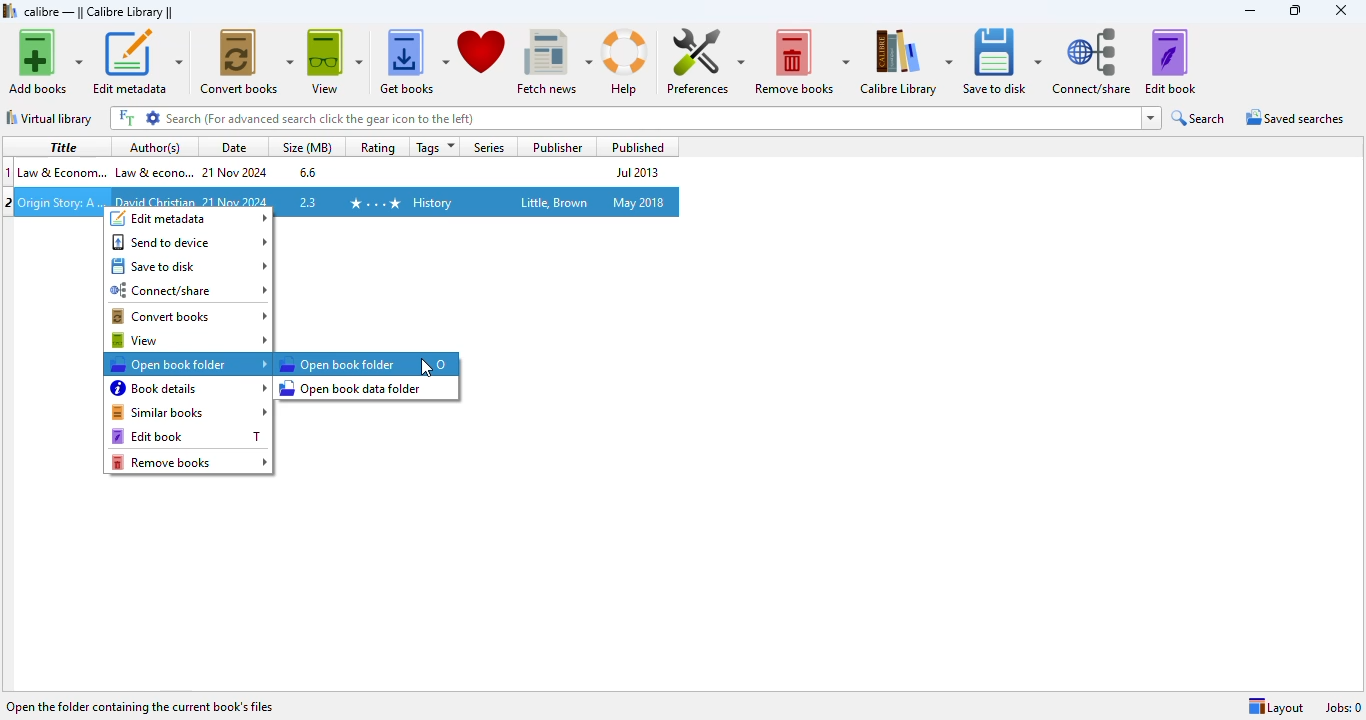  Describe the element at coordinates (189, 340) in the screenshot. I see `view` at that location.